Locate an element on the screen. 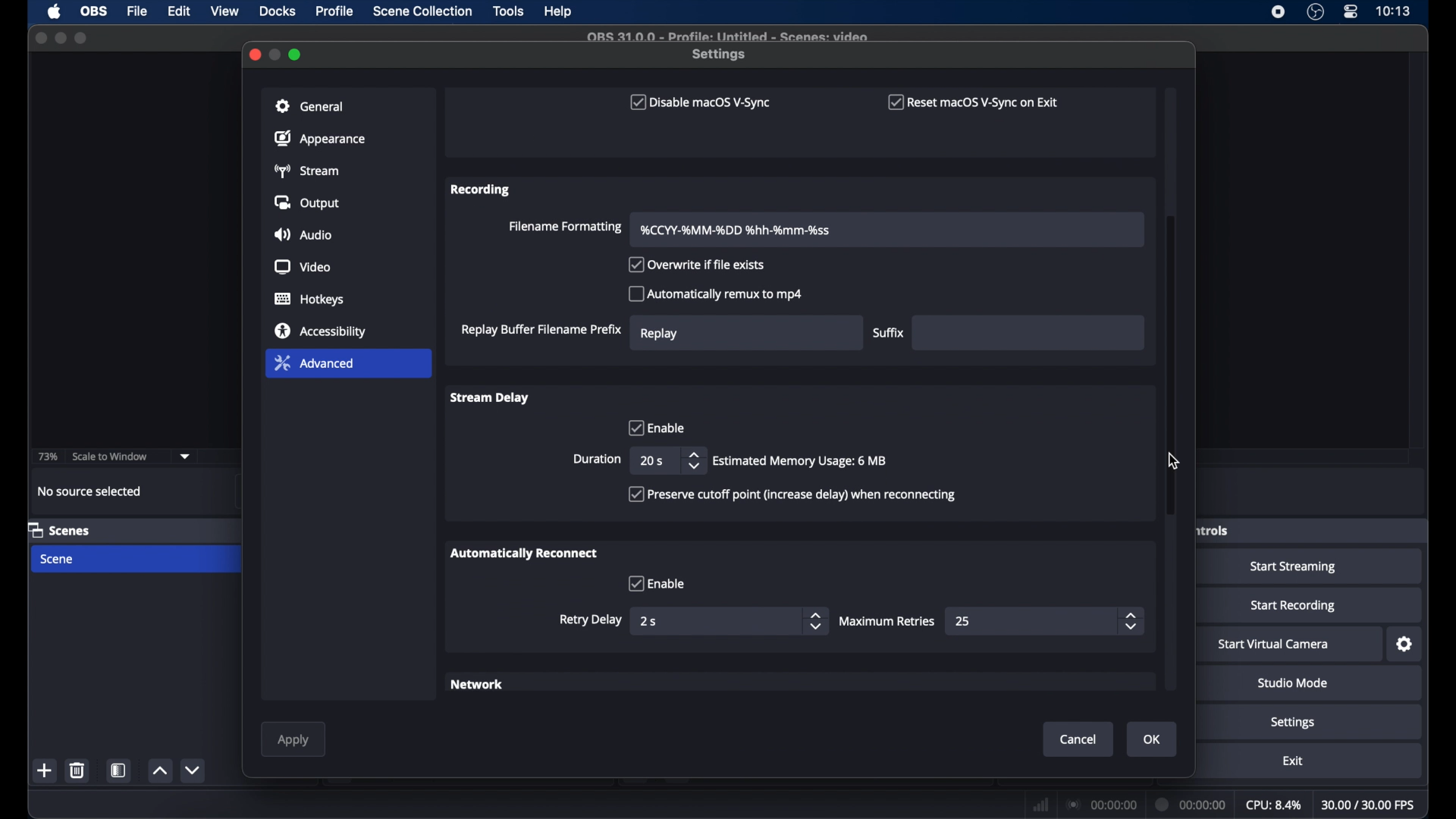  close is located at coordinates (254, 53).